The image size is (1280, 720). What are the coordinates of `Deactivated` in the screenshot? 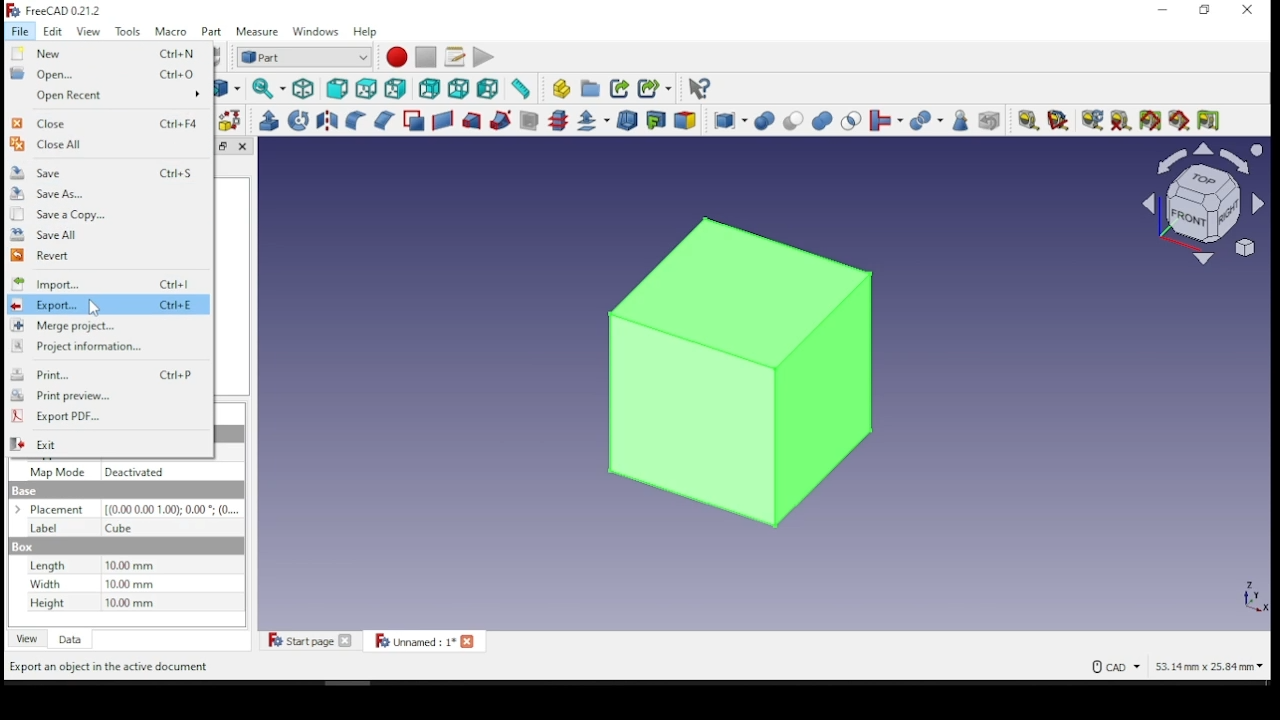 It's located at (138, 472).